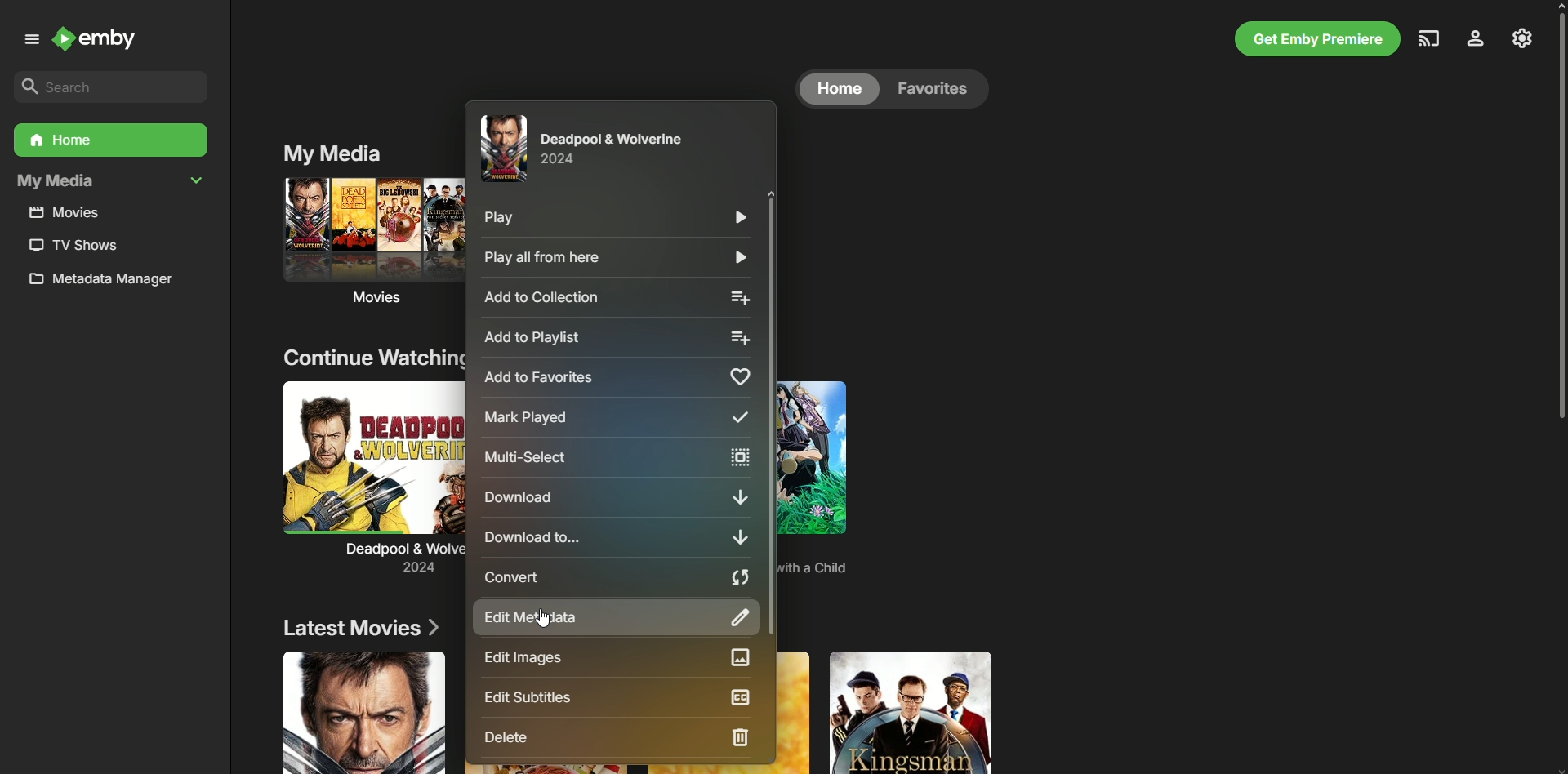 The width and height of the screenshot is (1568, 774). What do you see at coordinates (938, 89) in the screenshot?
I see `Favorites` at bounding box center [938, 89].